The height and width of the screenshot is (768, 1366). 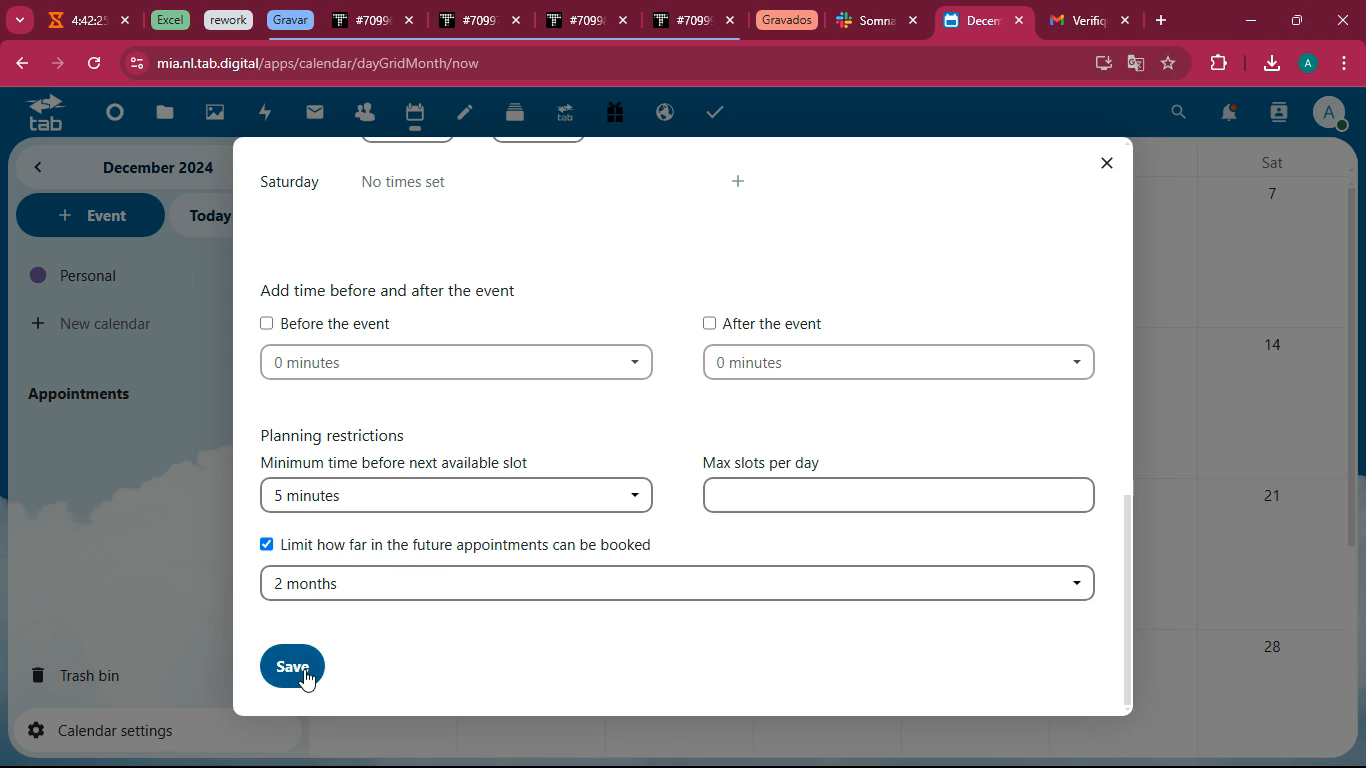 I want to click on add tab, so click(x=1165, y=21).